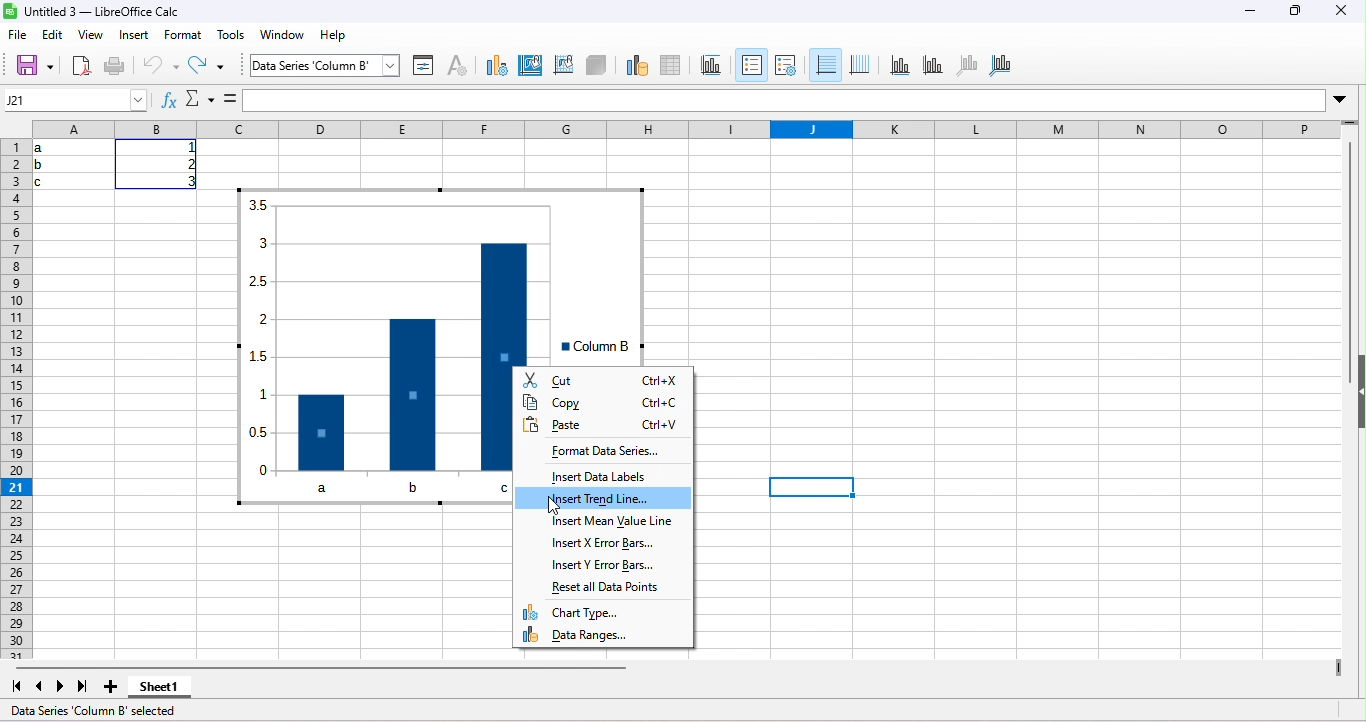  Describe the element at coordinates (137, 713) in the screenshot. I see `data series column b selected` at that location.